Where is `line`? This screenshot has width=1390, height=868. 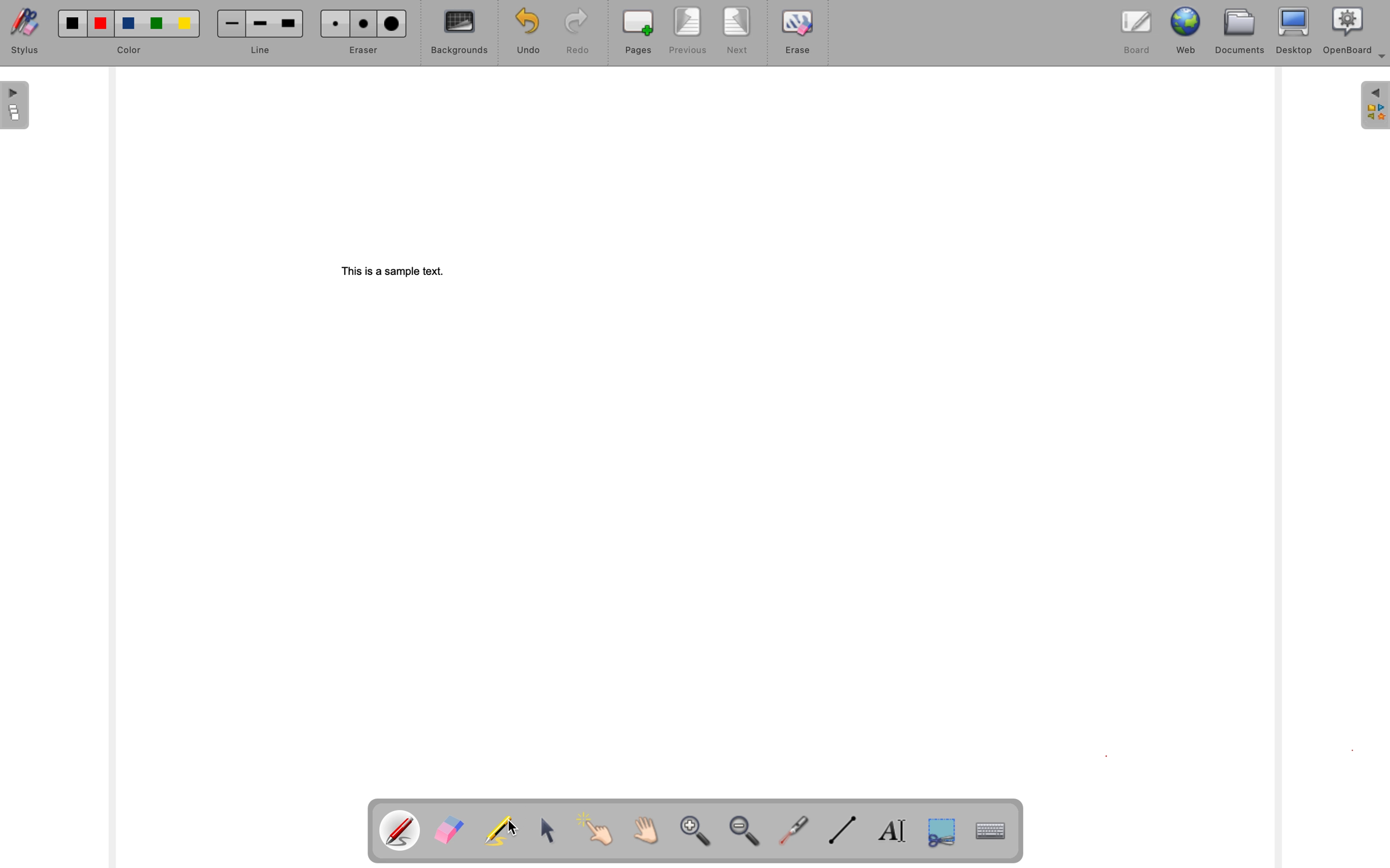
line is located at coordinates (261, 51).